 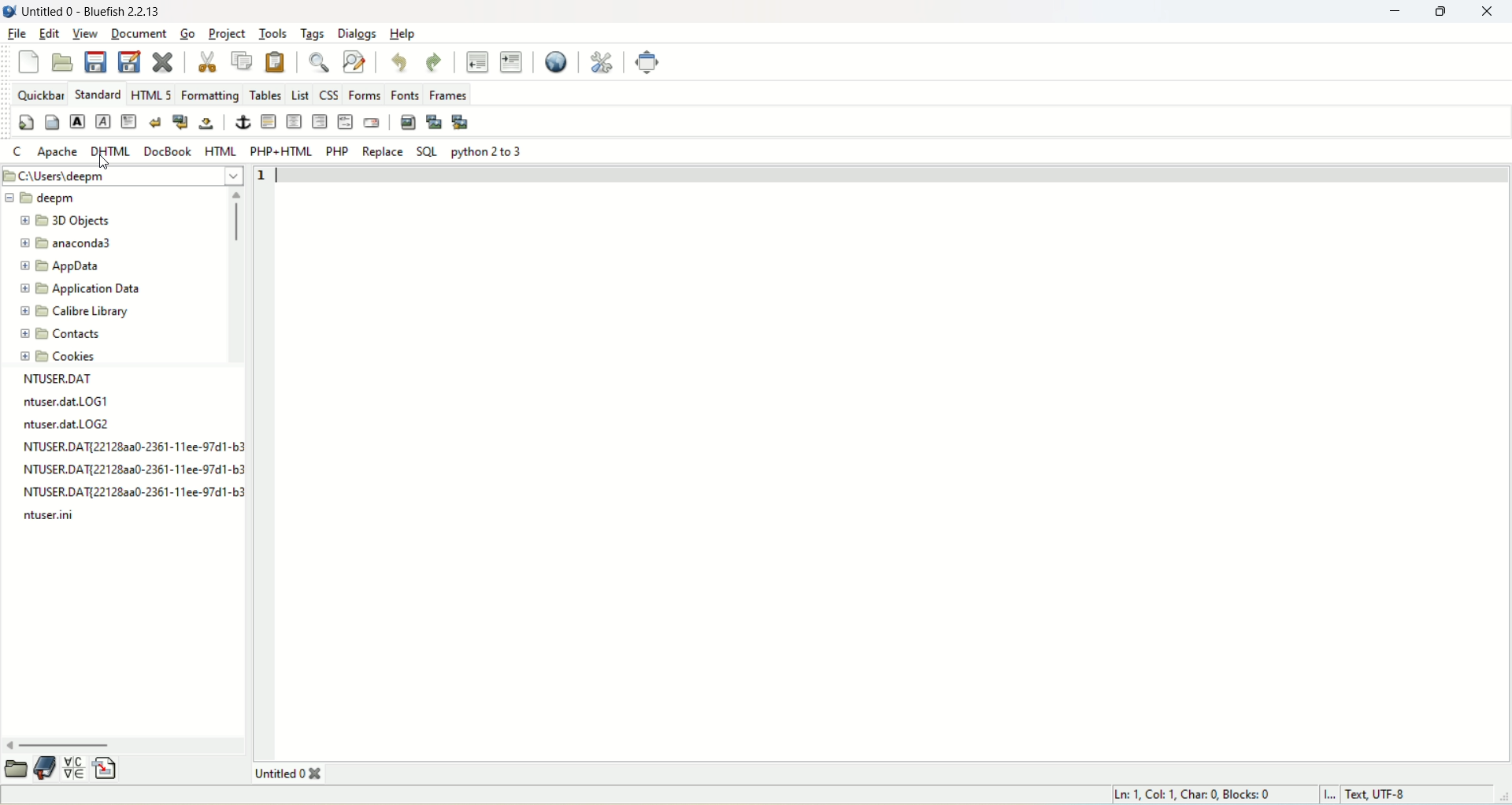 What do you see at coordinates (237, 278) in the screenshot?
I see `vertical scroll bar` at bounding box center [237, 278].